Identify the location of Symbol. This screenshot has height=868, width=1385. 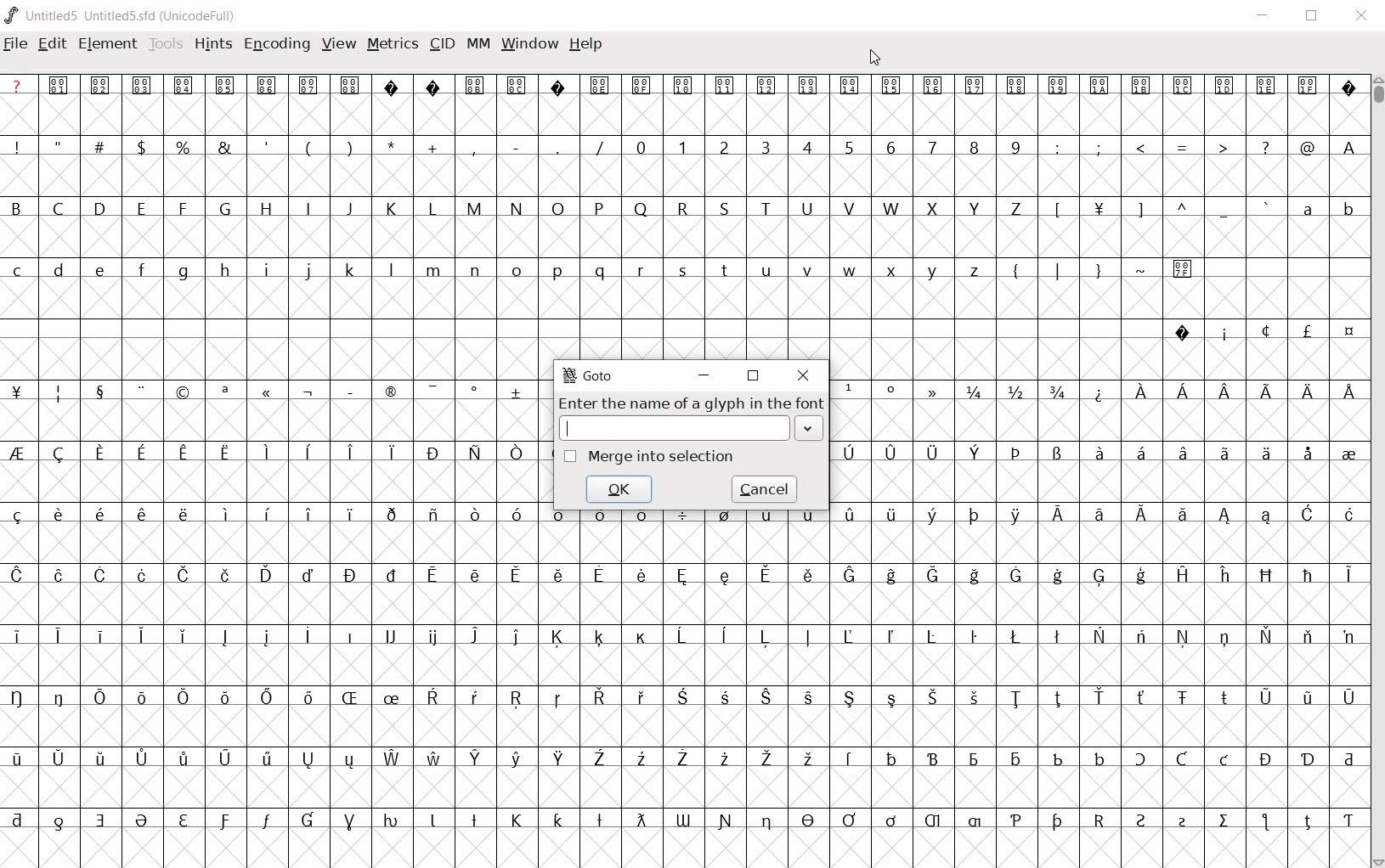
(1267, 635).